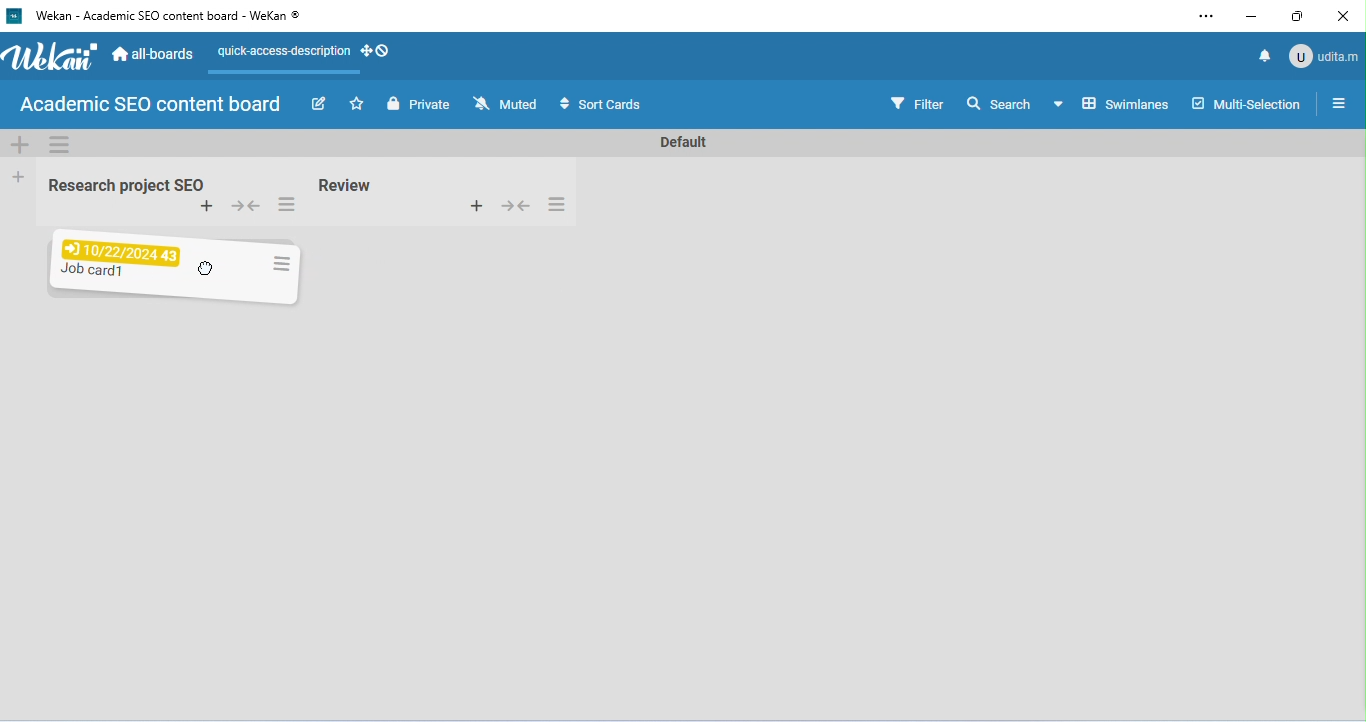 The height and width of the screenshot is (722, 1366). What do you see at coordinates (207, 207) in the screenshot?
I see `add card to top of list` at bounding box center [207, 207].